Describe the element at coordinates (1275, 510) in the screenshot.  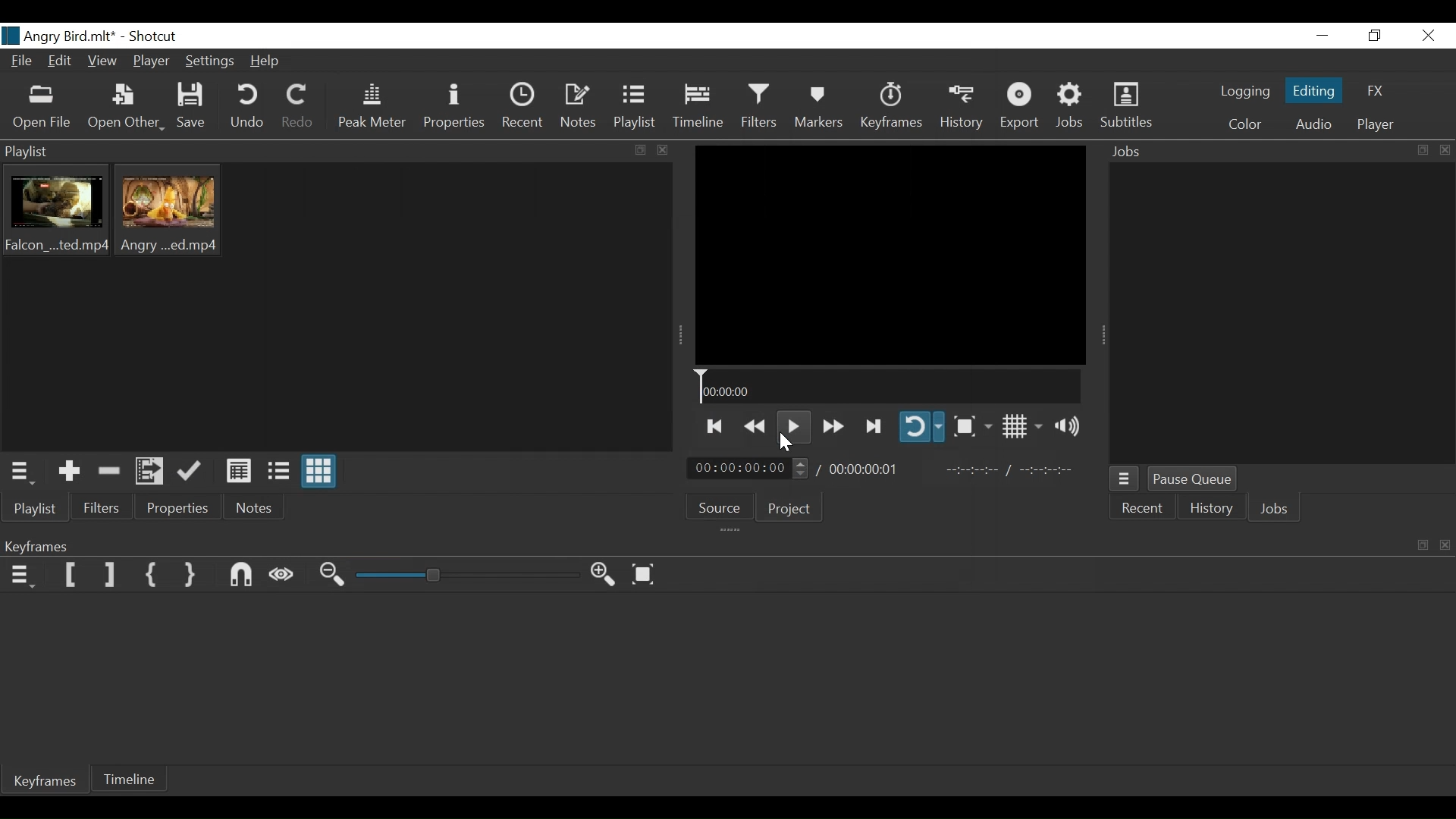
I see `Jobs` at that location.